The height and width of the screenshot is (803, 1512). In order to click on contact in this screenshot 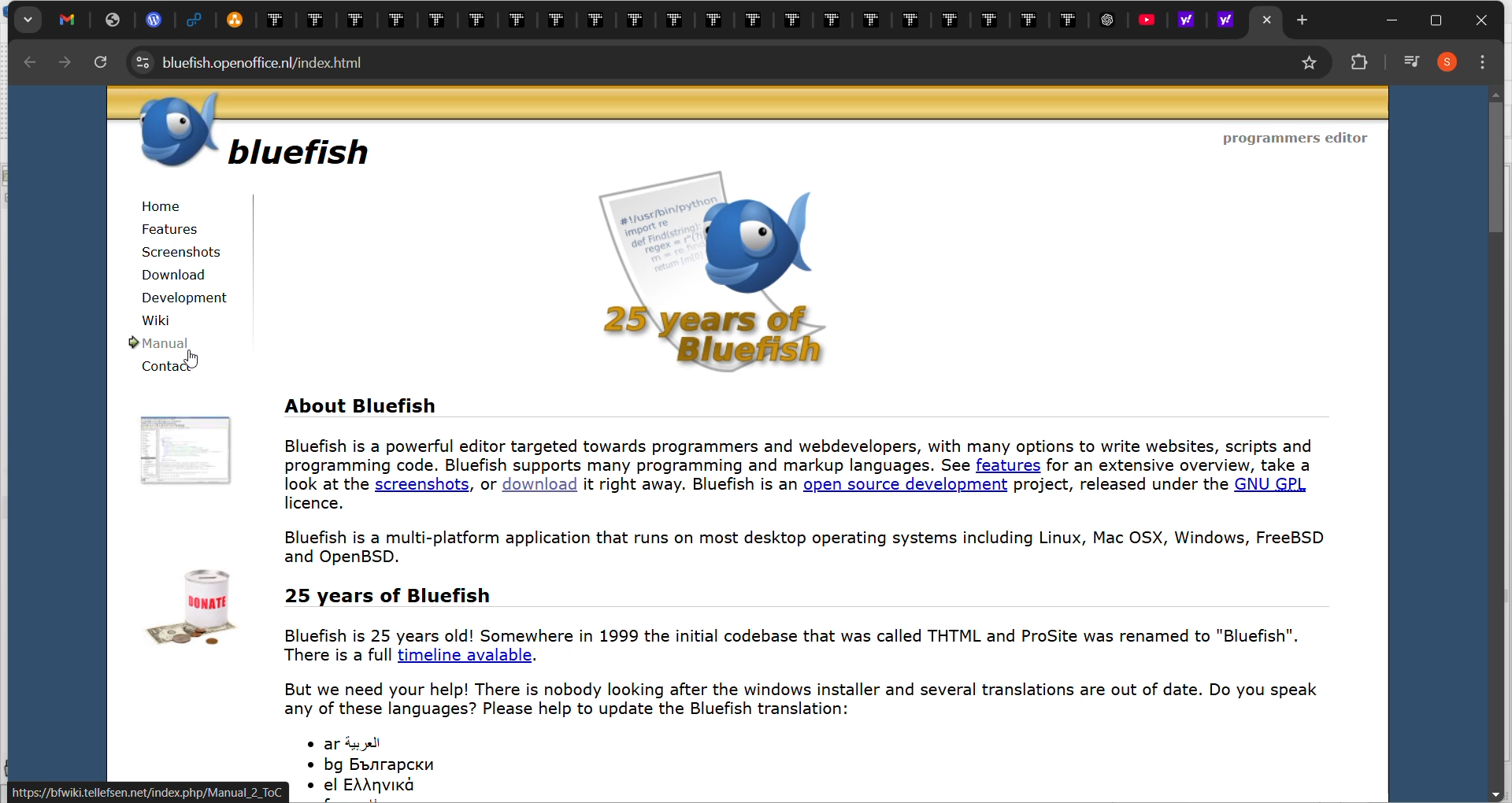, I will do `click(169, 367)`.